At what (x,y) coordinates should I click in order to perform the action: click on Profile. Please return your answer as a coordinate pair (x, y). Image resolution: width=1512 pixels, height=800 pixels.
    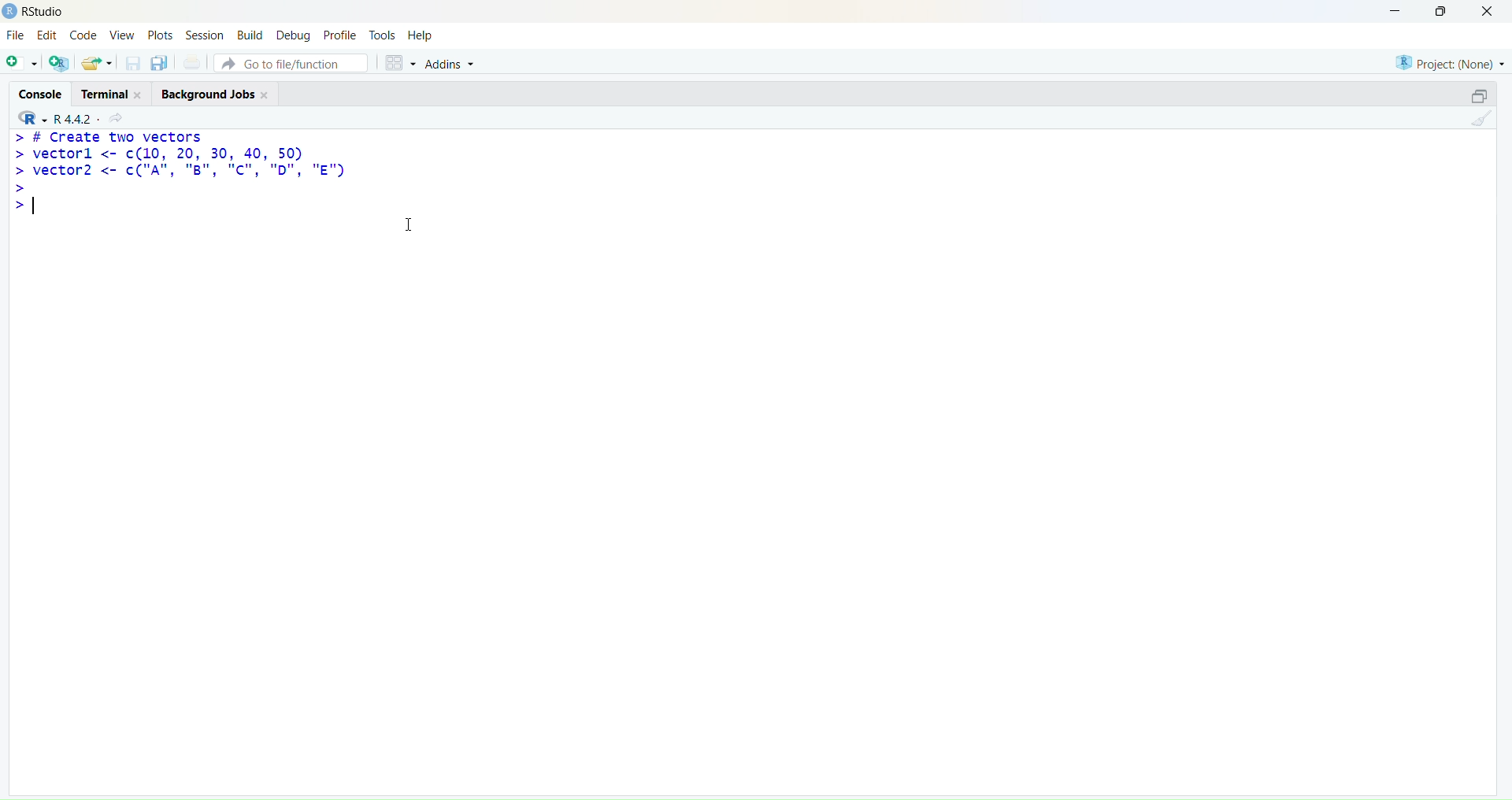
    Looking at the image, I should click on (339, 34).